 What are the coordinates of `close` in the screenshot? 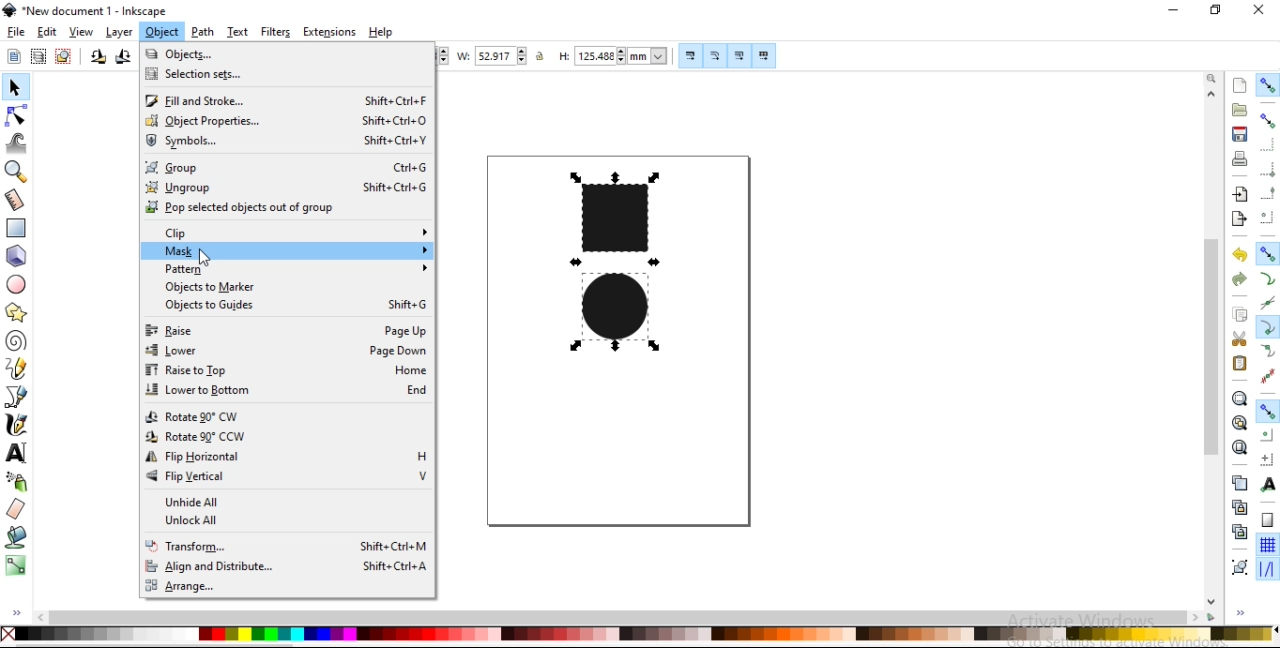 It's located at (1258, 10).